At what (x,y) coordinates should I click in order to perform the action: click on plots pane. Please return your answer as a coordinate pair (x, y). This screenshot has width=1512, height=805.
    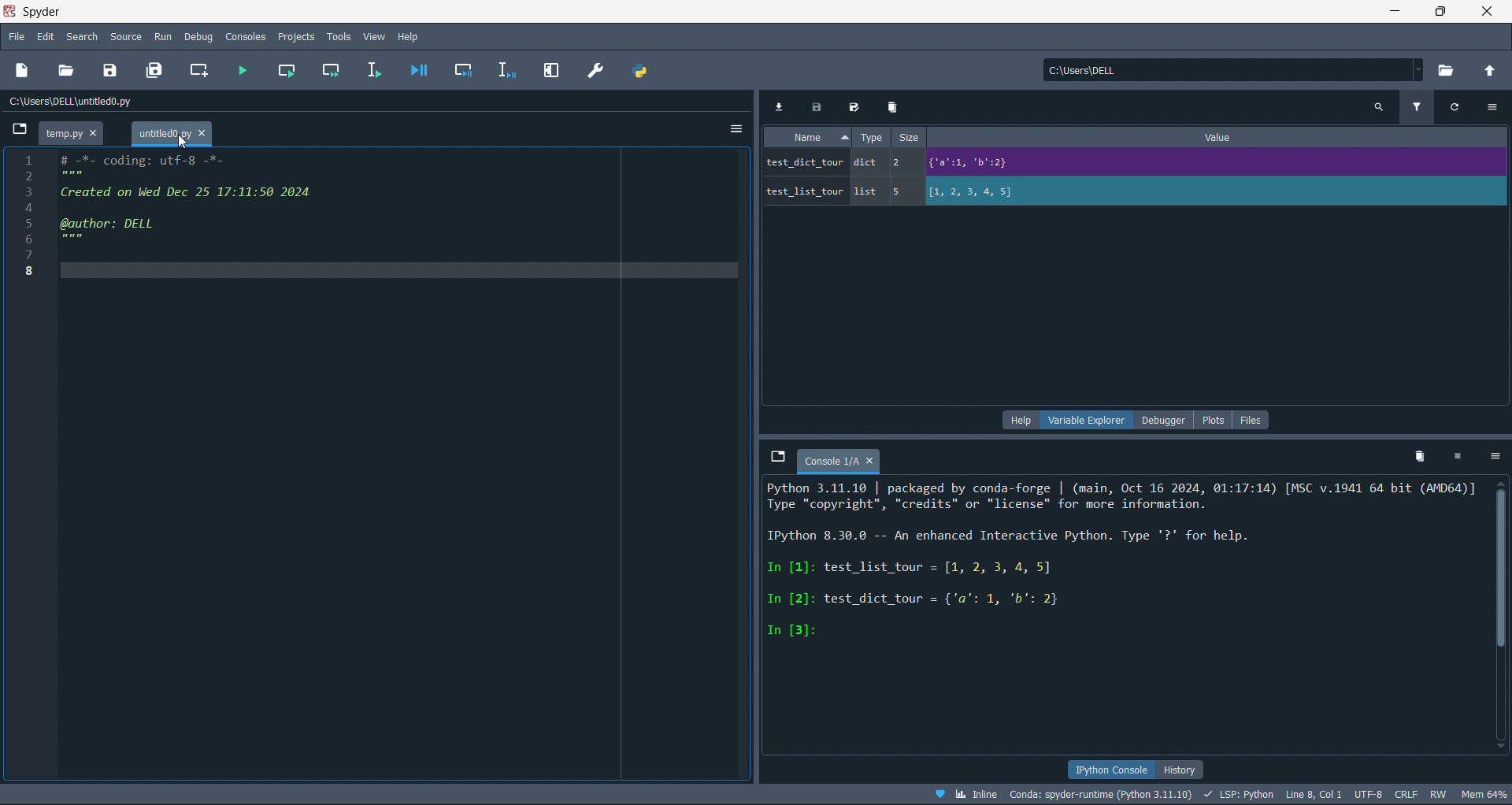
    Looking at the image, I should click on (1216, 420).